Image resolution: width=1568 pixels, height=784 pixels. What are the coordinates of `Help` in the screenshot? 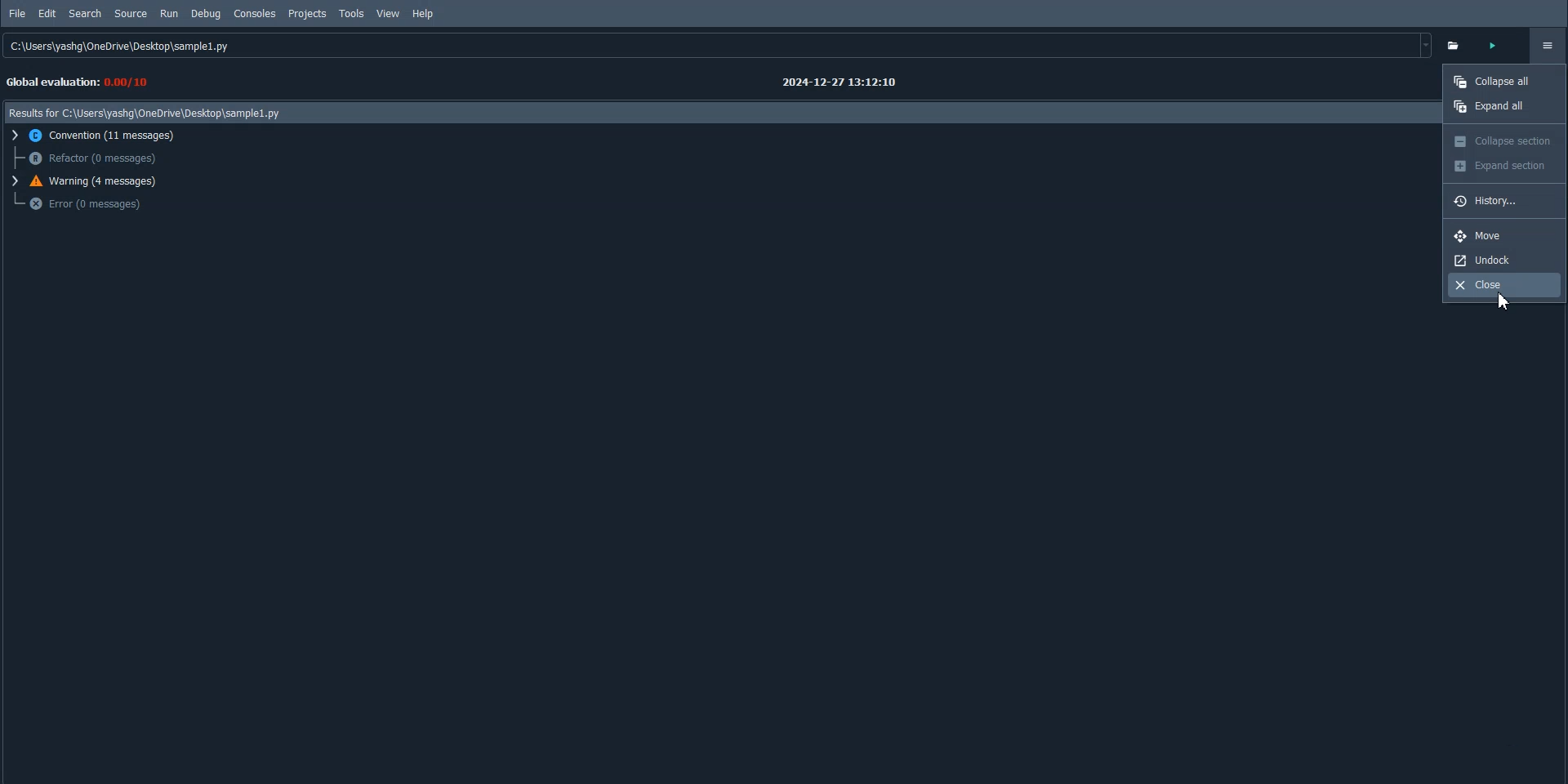 It's located at (423, 15).